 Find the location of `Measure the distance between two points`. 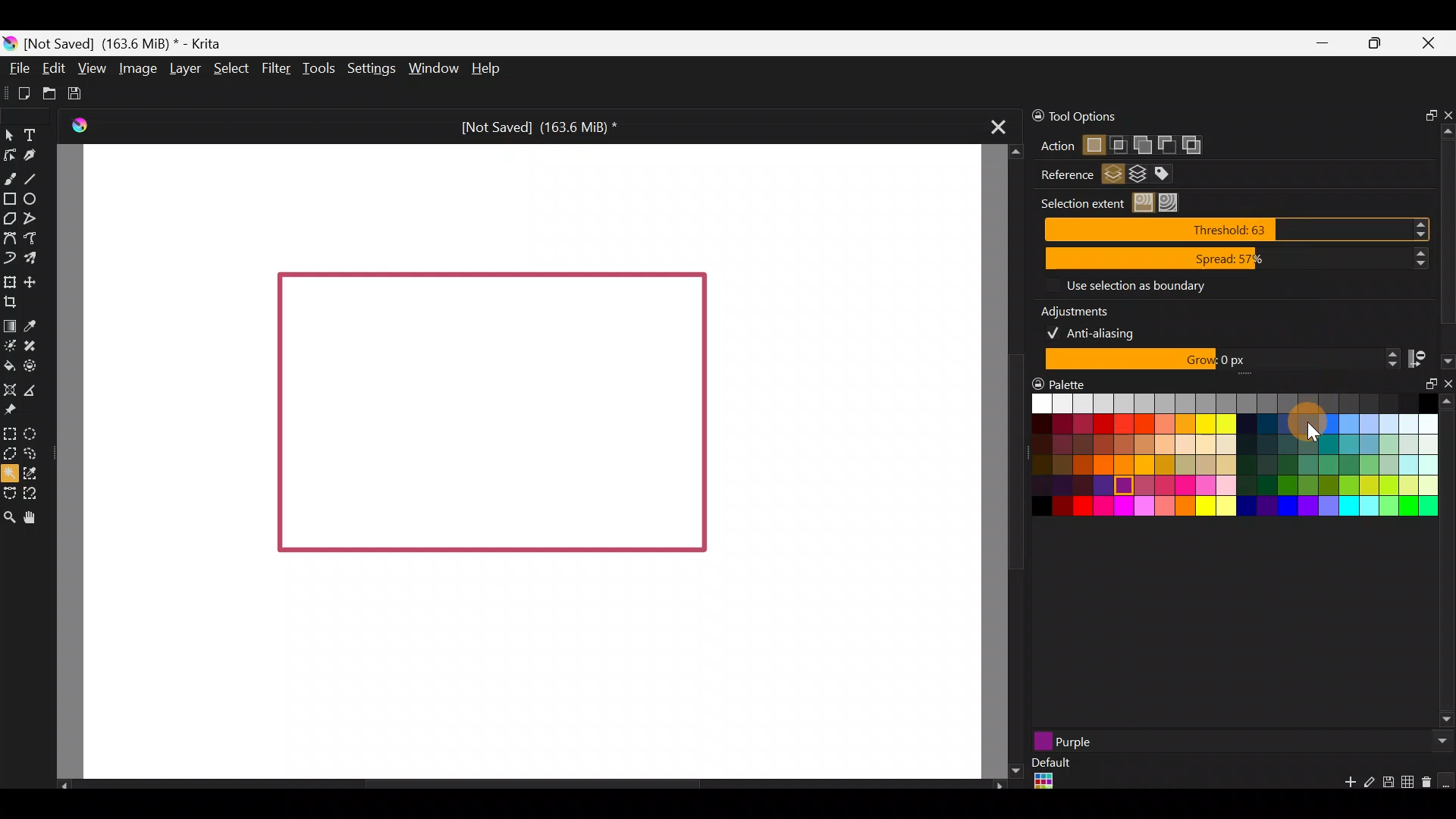

Measure the distance between two points is located at coordinates (39, 391).